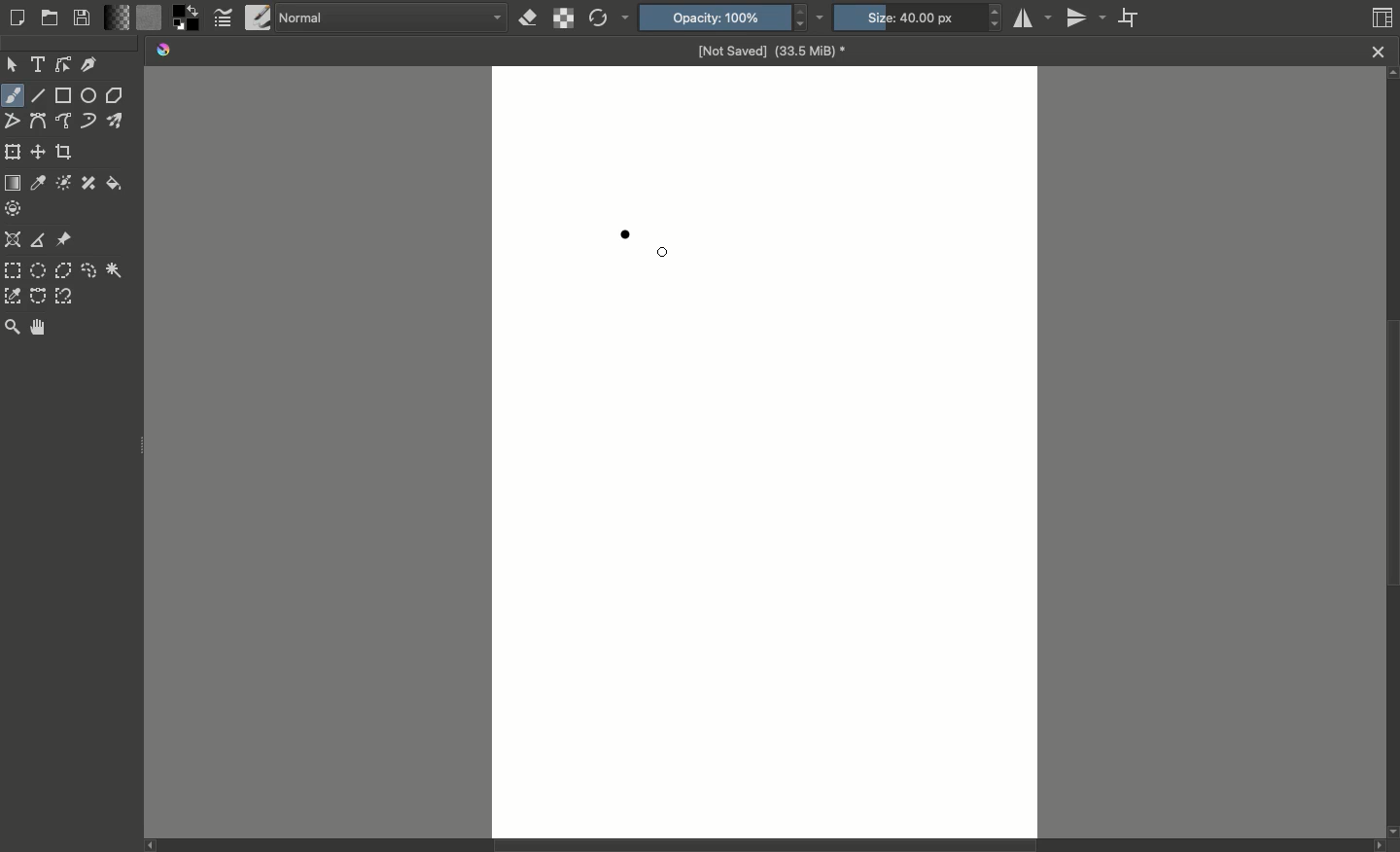 The width and height of the screenshot is (1400, 852). What do you see at coordinates (51, 18) in the screenshot?
I see `Open` at bounding box center [51, 18].